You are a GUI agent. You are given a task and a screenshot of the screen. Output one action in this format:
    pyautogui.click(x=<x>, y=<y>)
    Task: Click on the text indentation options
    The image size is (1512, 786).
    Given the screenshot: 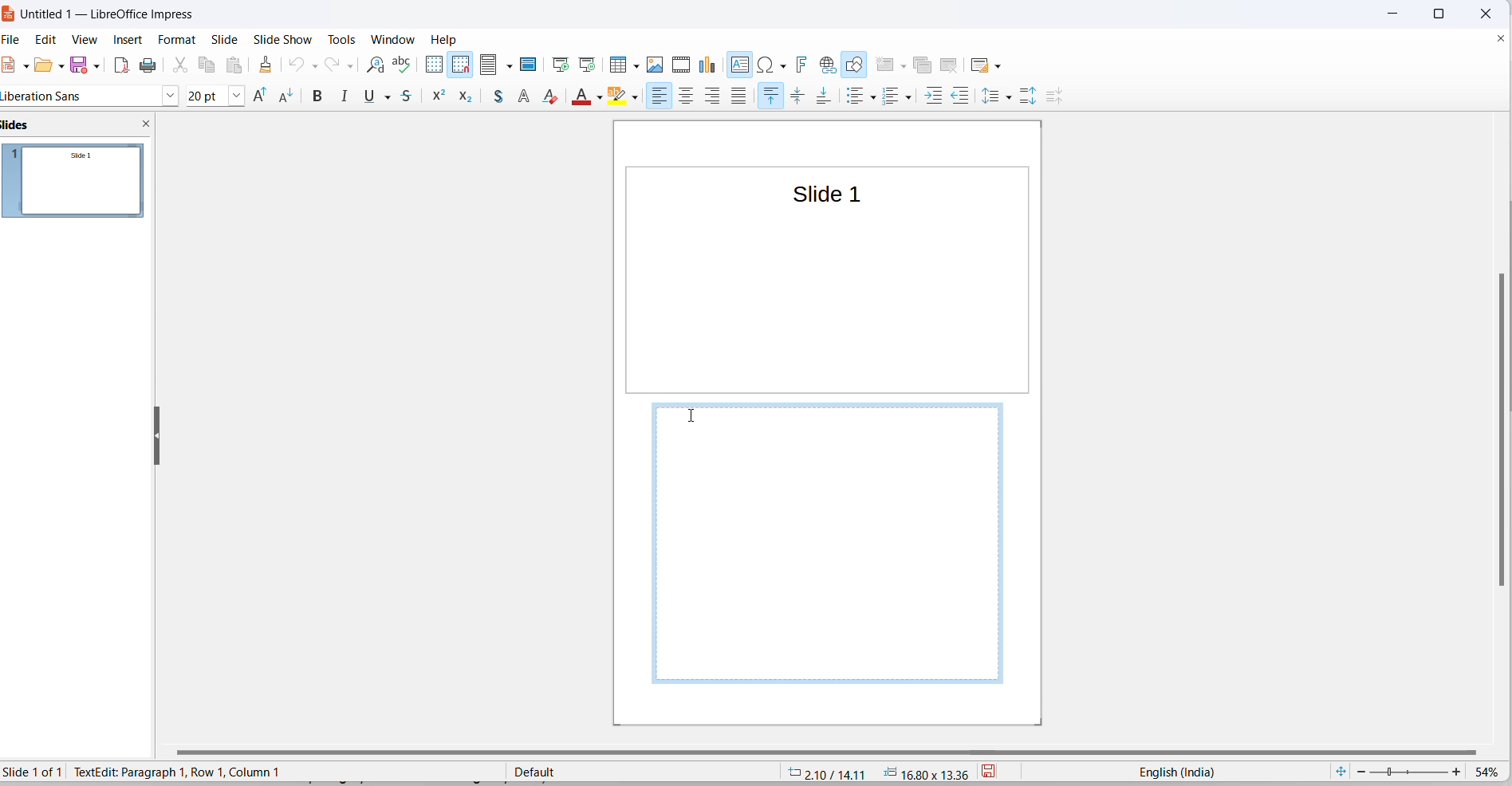 What is the action you would take?
    pyautogui.click(x=994, y=98)
    